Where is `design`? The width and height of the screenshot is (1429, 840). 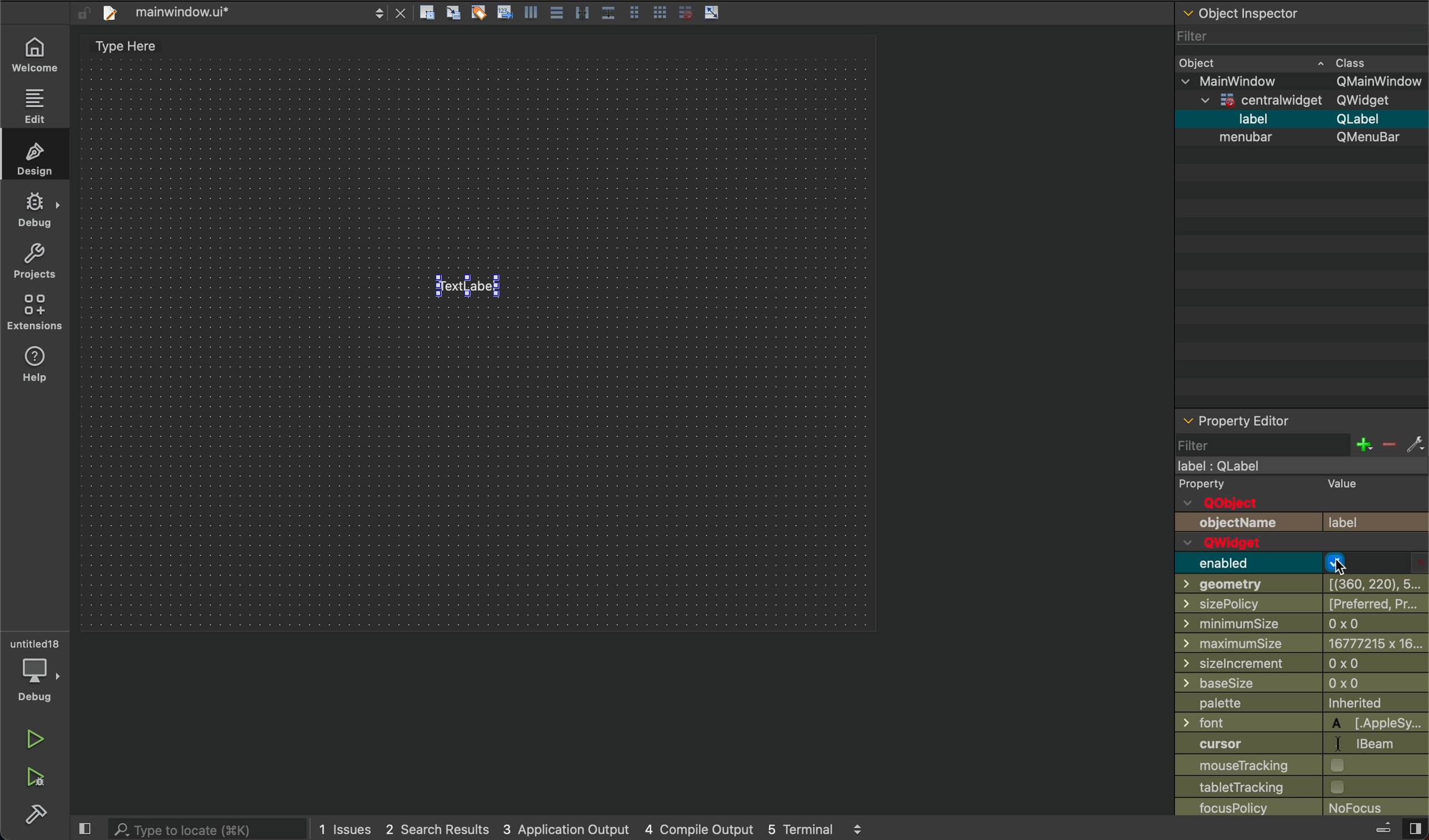 design is located at coordinates (37, 159).